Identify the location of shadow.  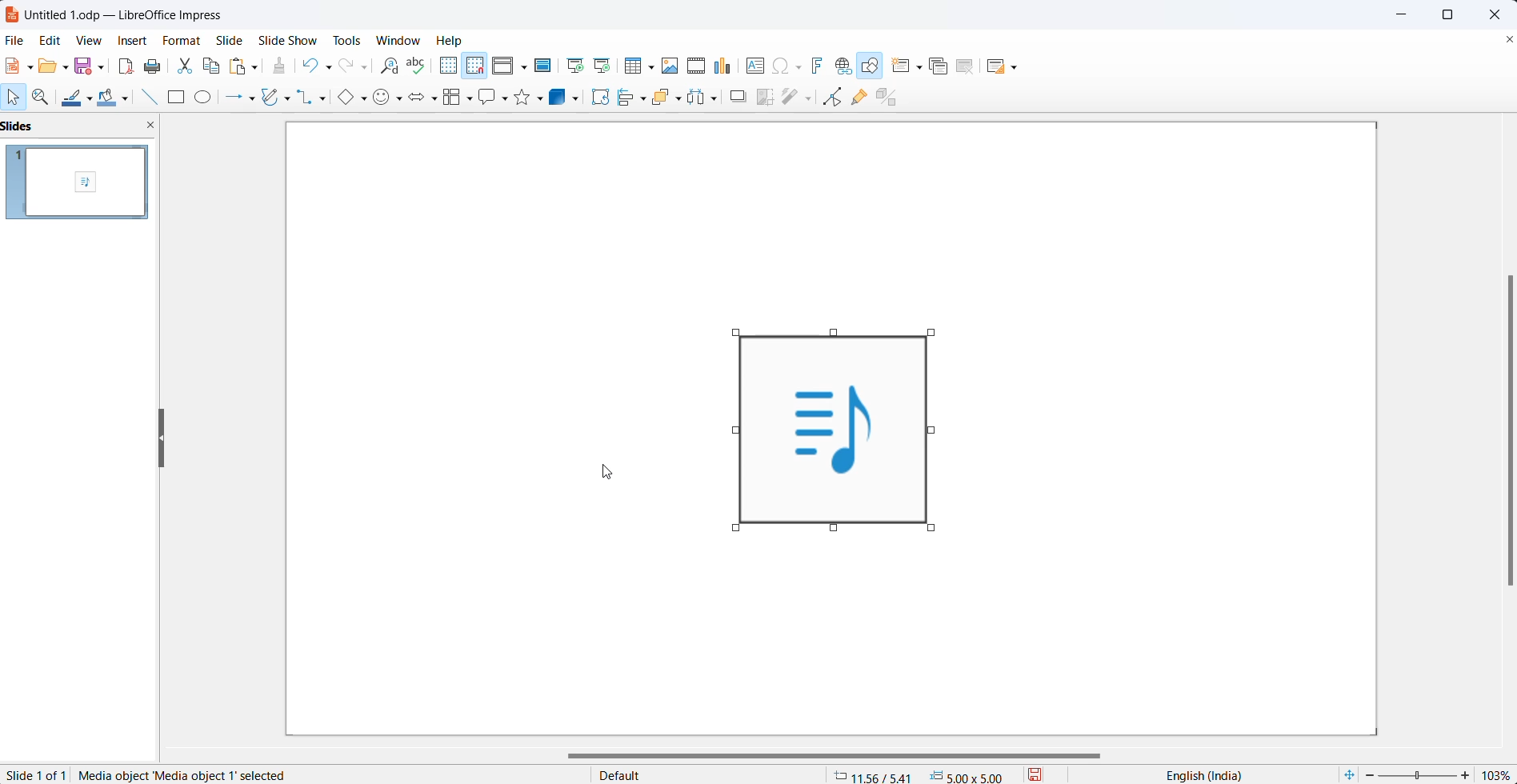
(740, 98).